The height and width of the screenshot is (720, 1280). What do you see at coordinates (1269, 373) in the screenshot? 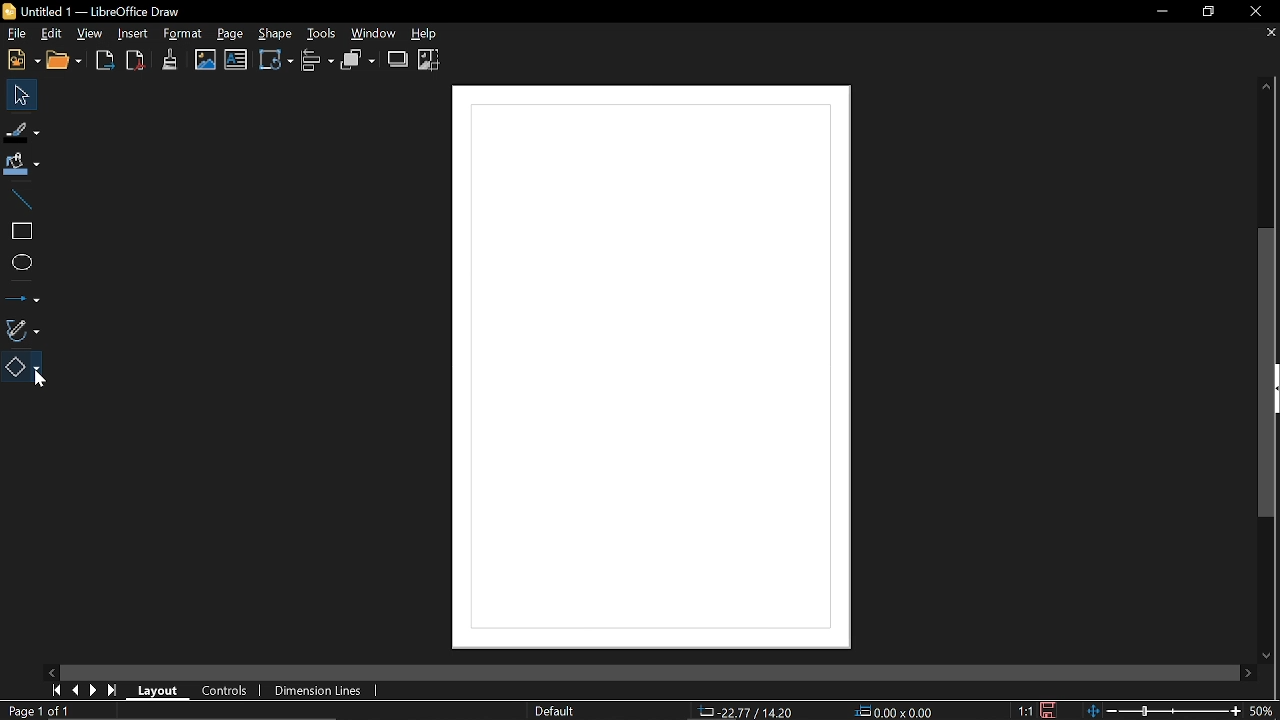
I see `Vertical scrollbar` at bounding box center [1269, 373].